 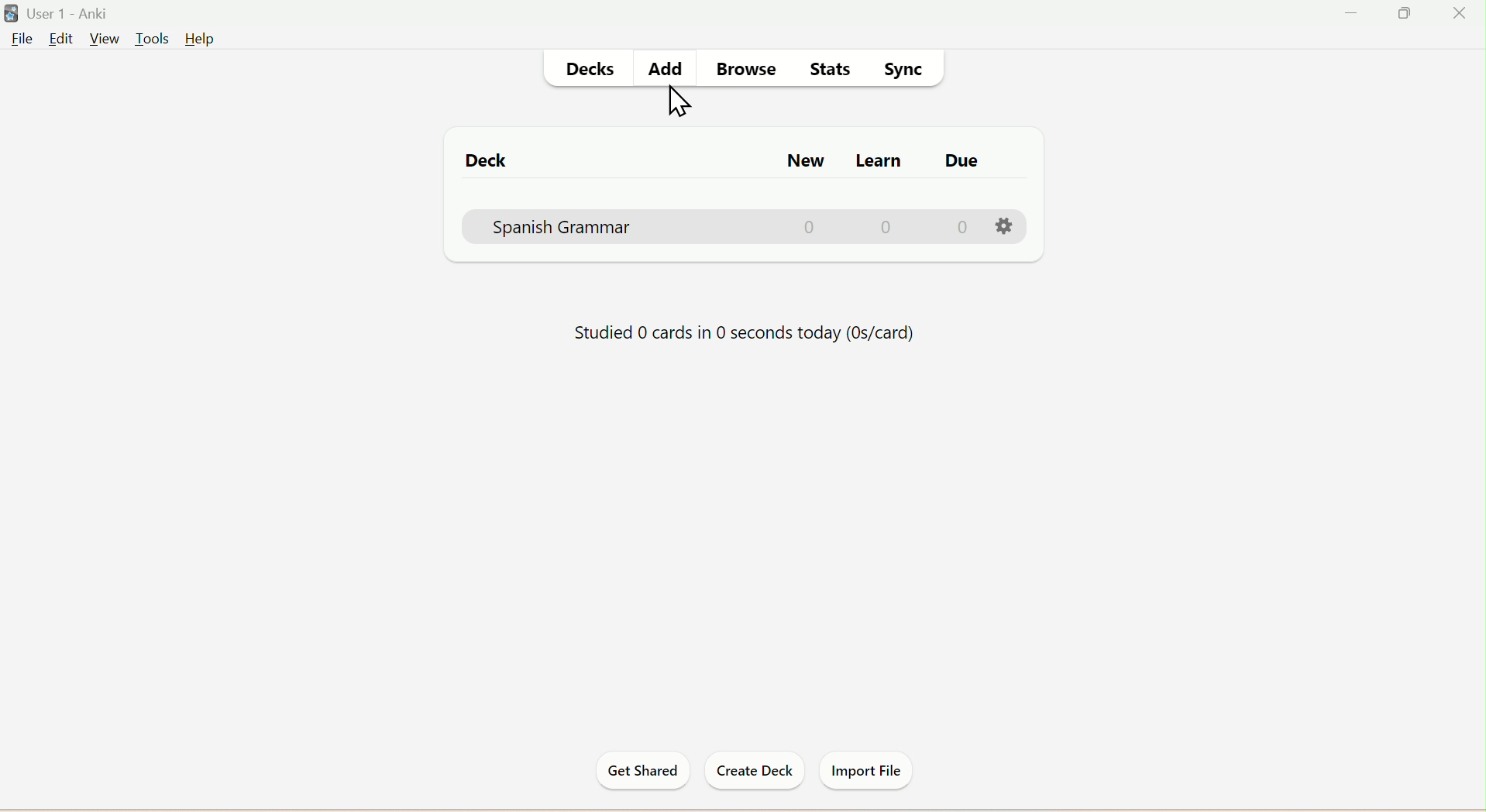 I want to click on Browse, so click(x=756, y=67).